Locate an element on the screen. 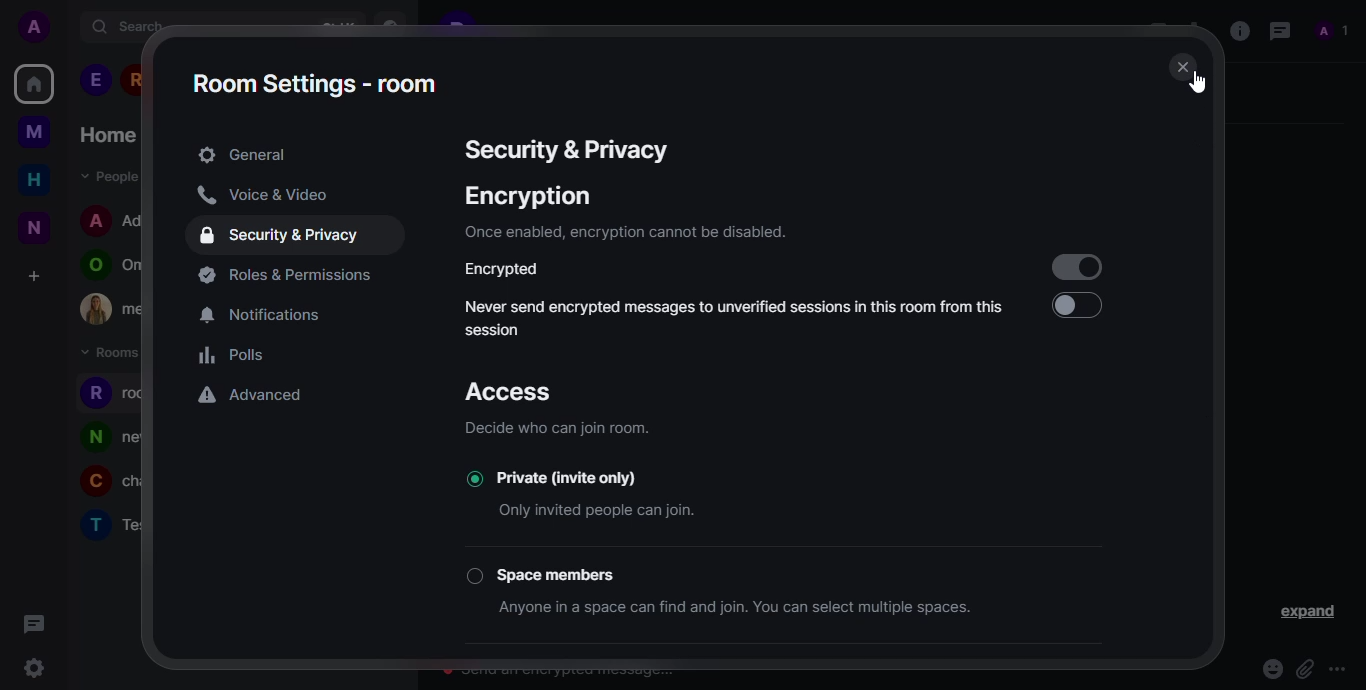 Image resolution: width=1366 pixels, height=690 pixels. info is located at coordinates (562, 427).